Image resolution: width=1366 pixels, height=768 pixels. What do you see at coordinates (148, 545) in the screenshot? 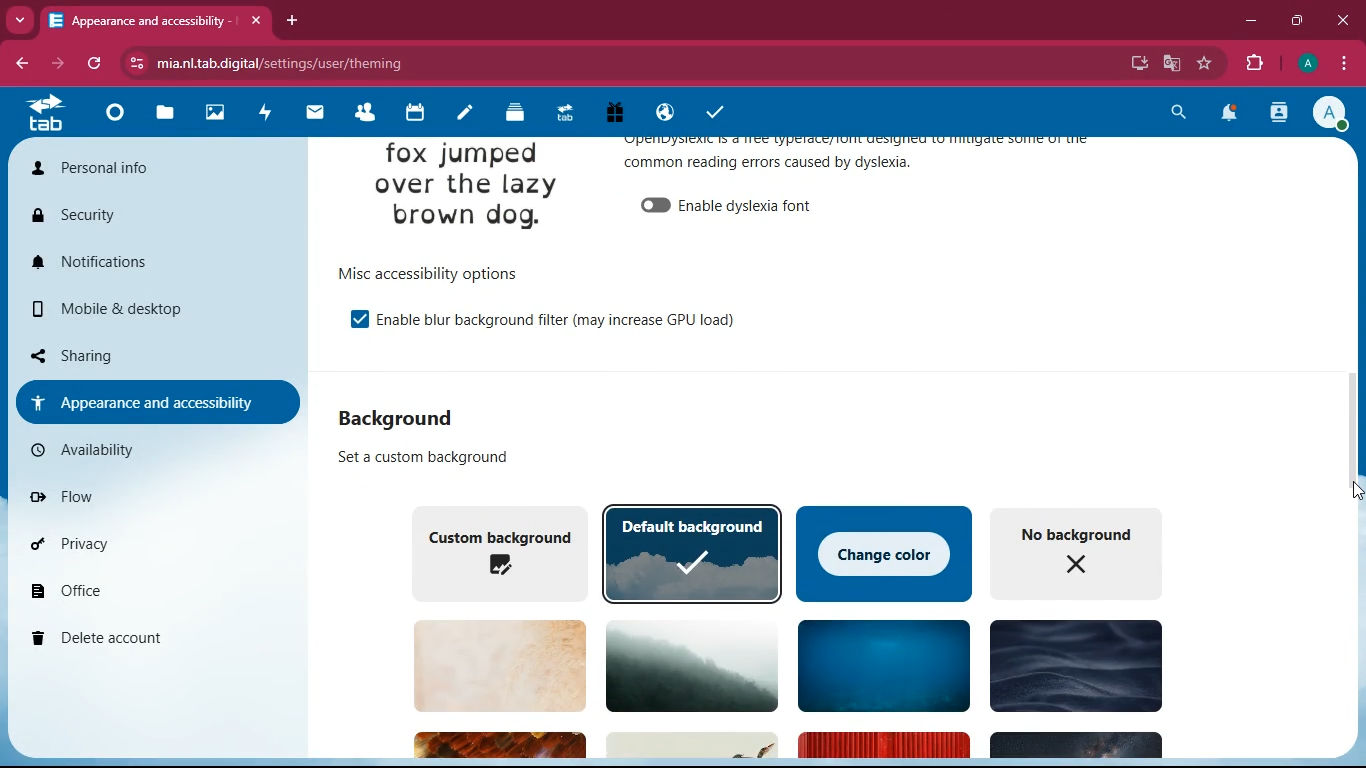
I see `privacy` at bounding box center [148, 545].